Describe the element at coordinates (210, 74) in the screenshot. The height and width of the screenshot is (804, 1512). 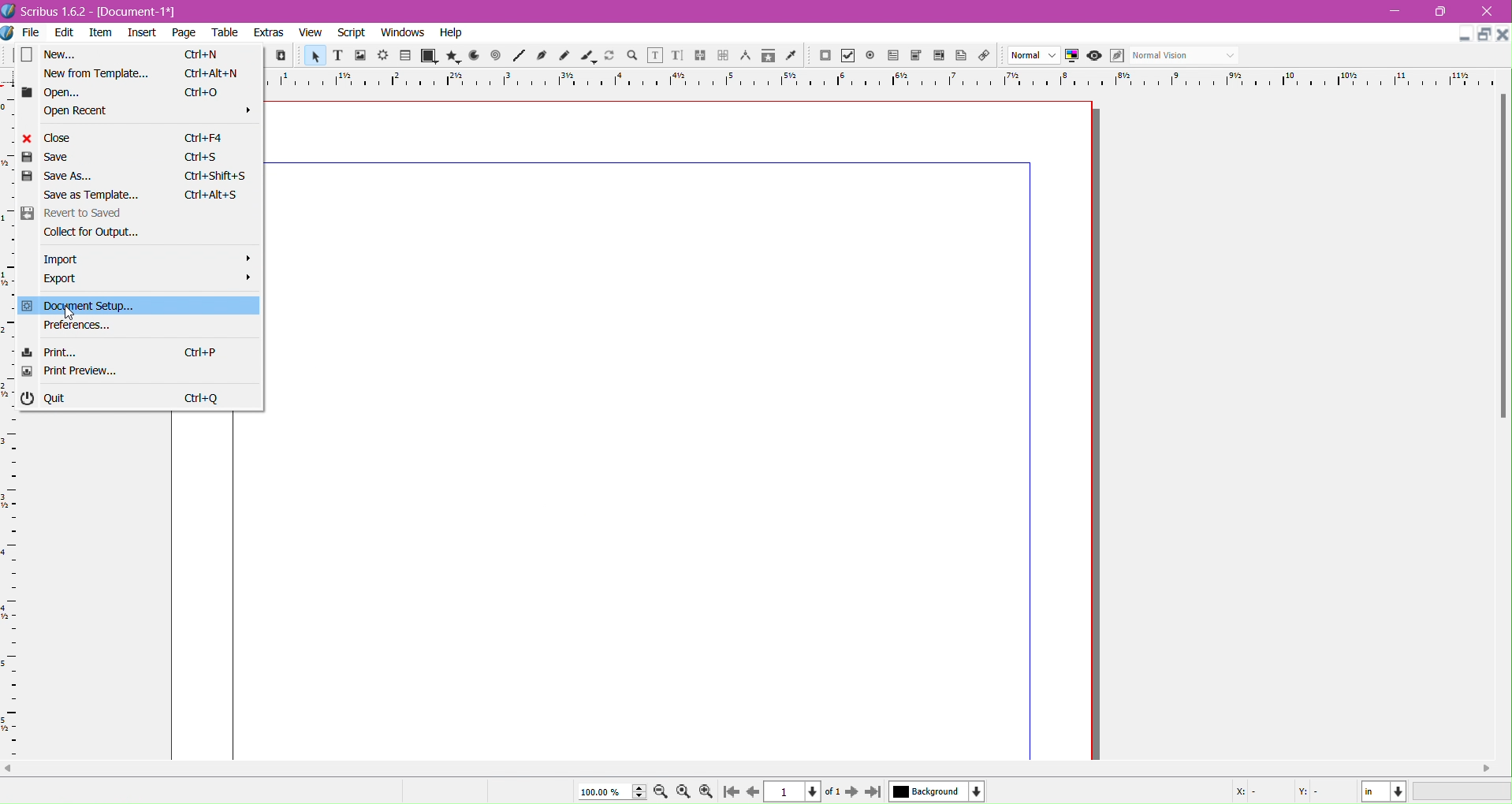
I see `` at that location.